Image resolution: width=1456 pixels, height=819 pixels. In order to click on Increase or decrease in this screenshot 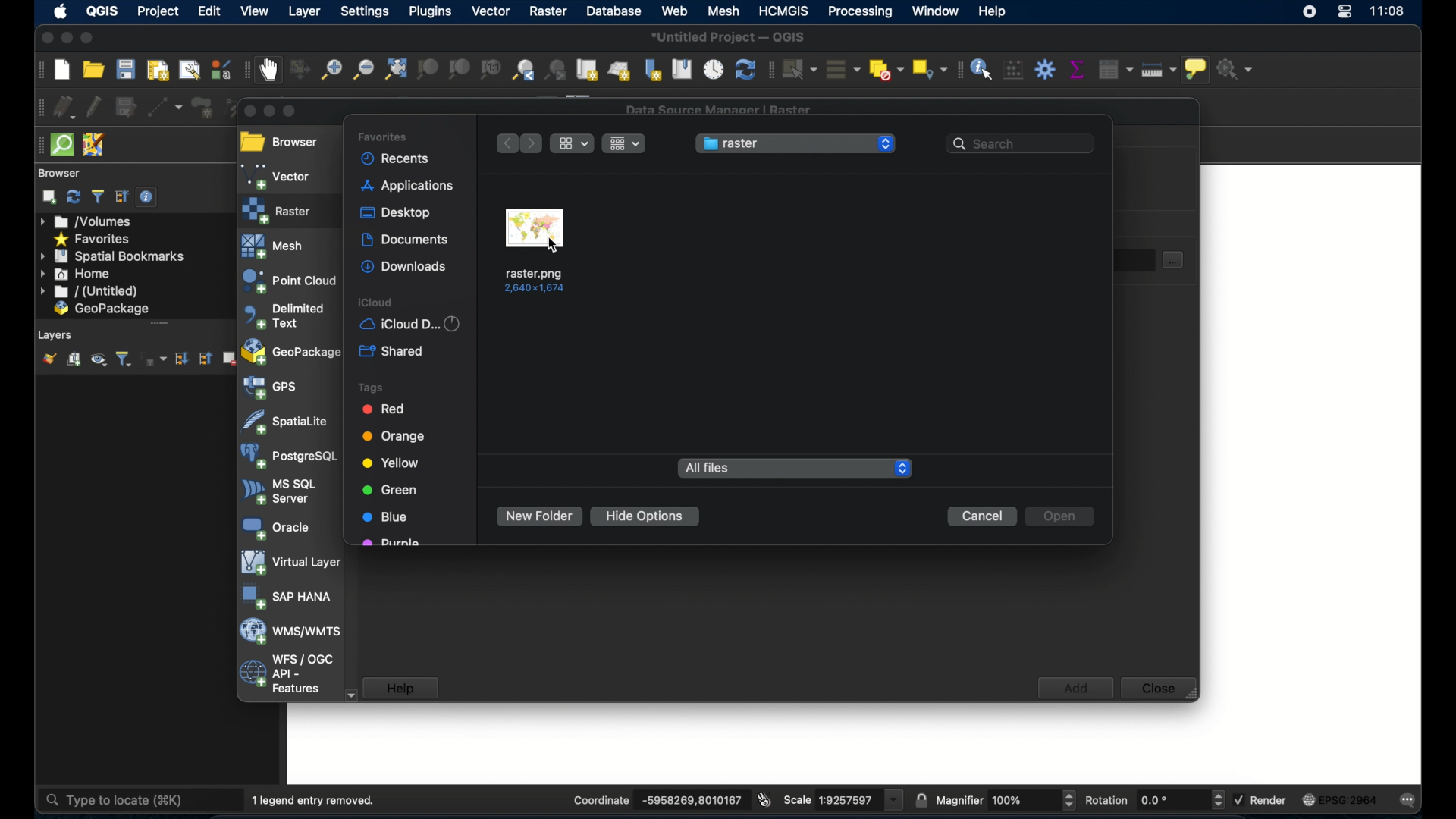, I will do `click(1217, 800)`.